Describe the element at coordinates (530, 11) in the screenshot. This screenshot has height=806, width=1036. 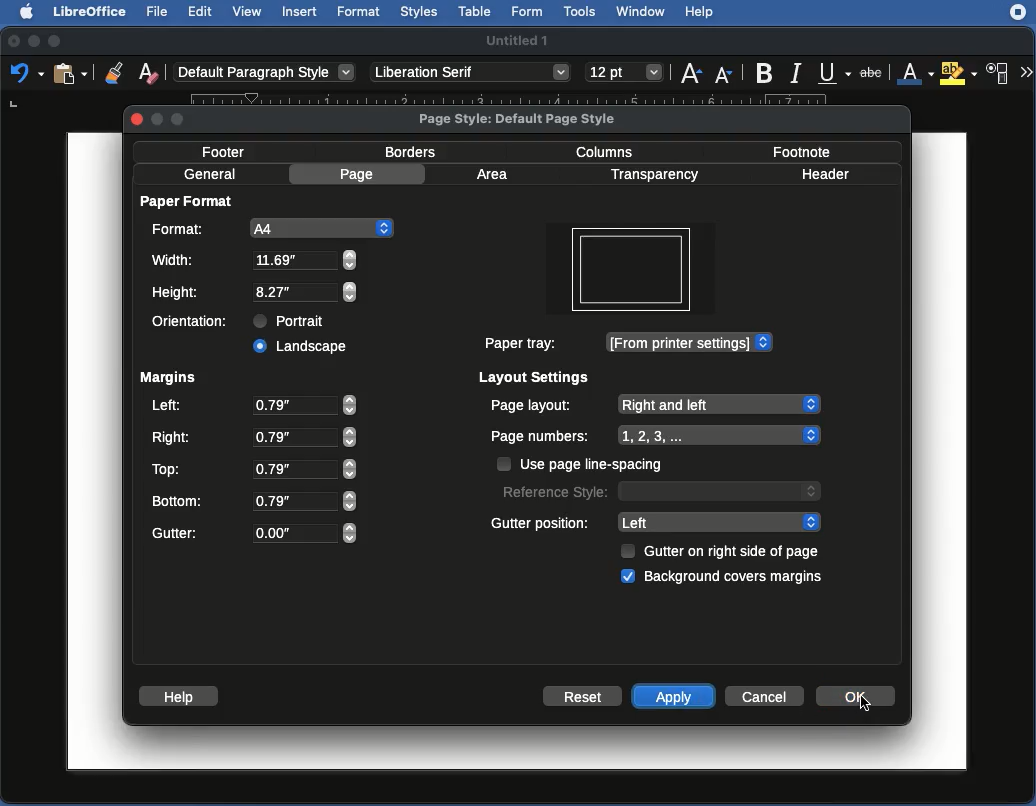
I see `Form` at that location.